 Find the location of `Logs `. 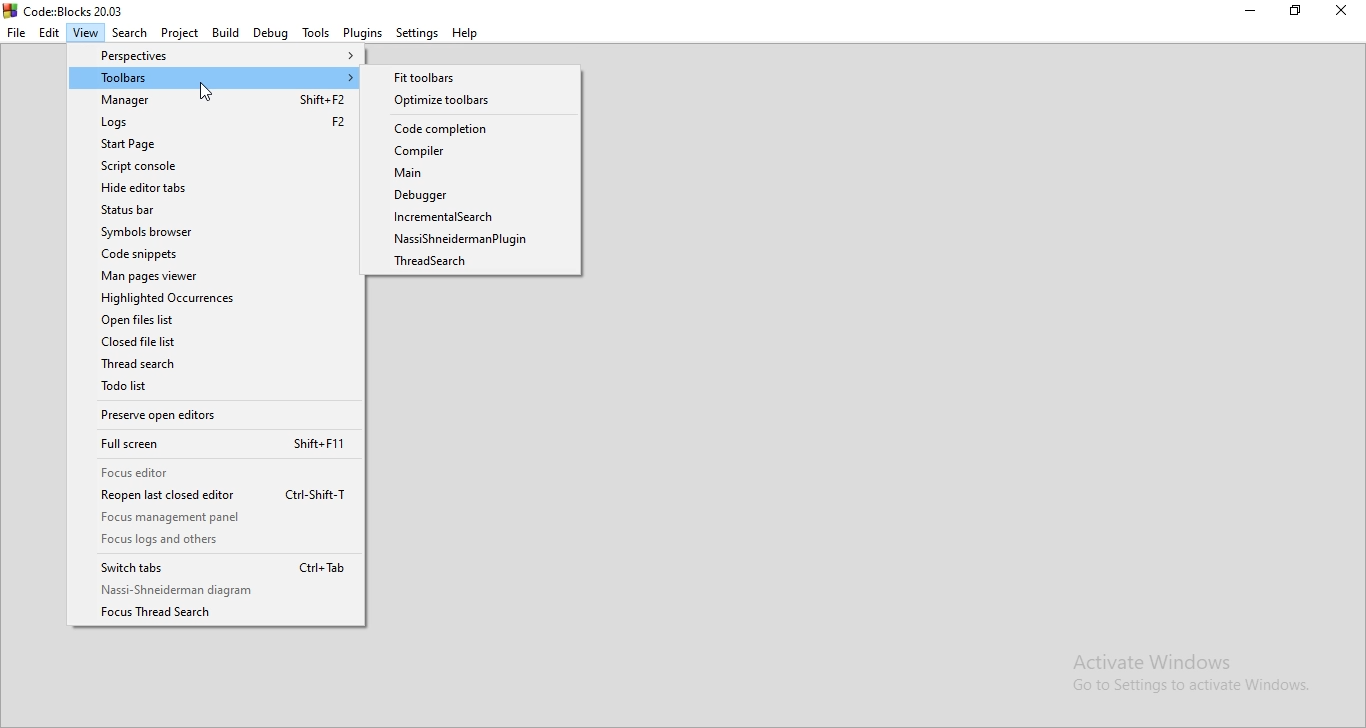

Logs  is located at coordinates (214, 122).